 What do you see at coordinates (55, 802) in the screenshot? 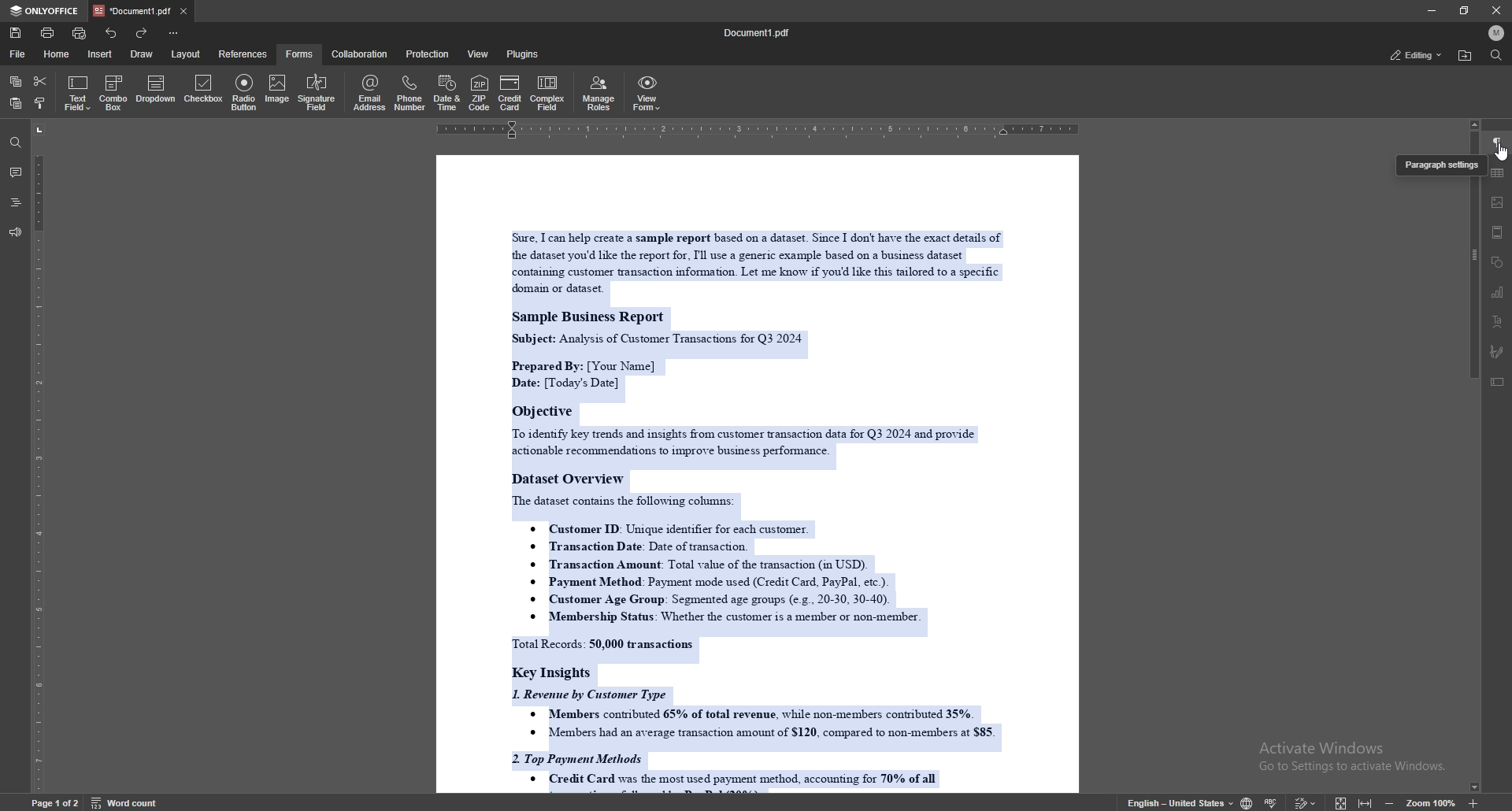
I see `page` at bounding box center [55, 802].